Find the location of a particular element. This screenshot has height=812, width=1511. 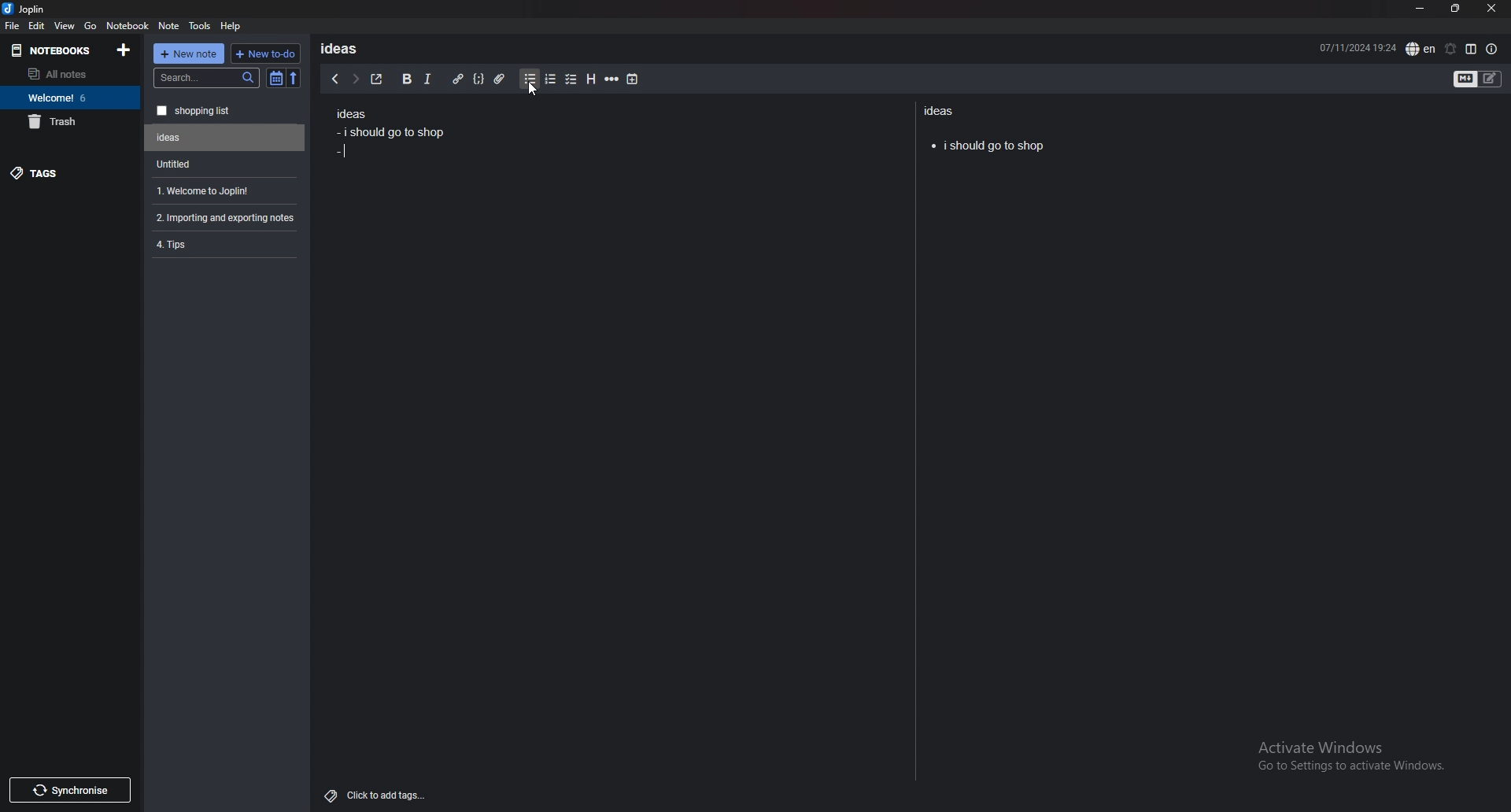

i should go to shop is located at coordinates (393, 134).